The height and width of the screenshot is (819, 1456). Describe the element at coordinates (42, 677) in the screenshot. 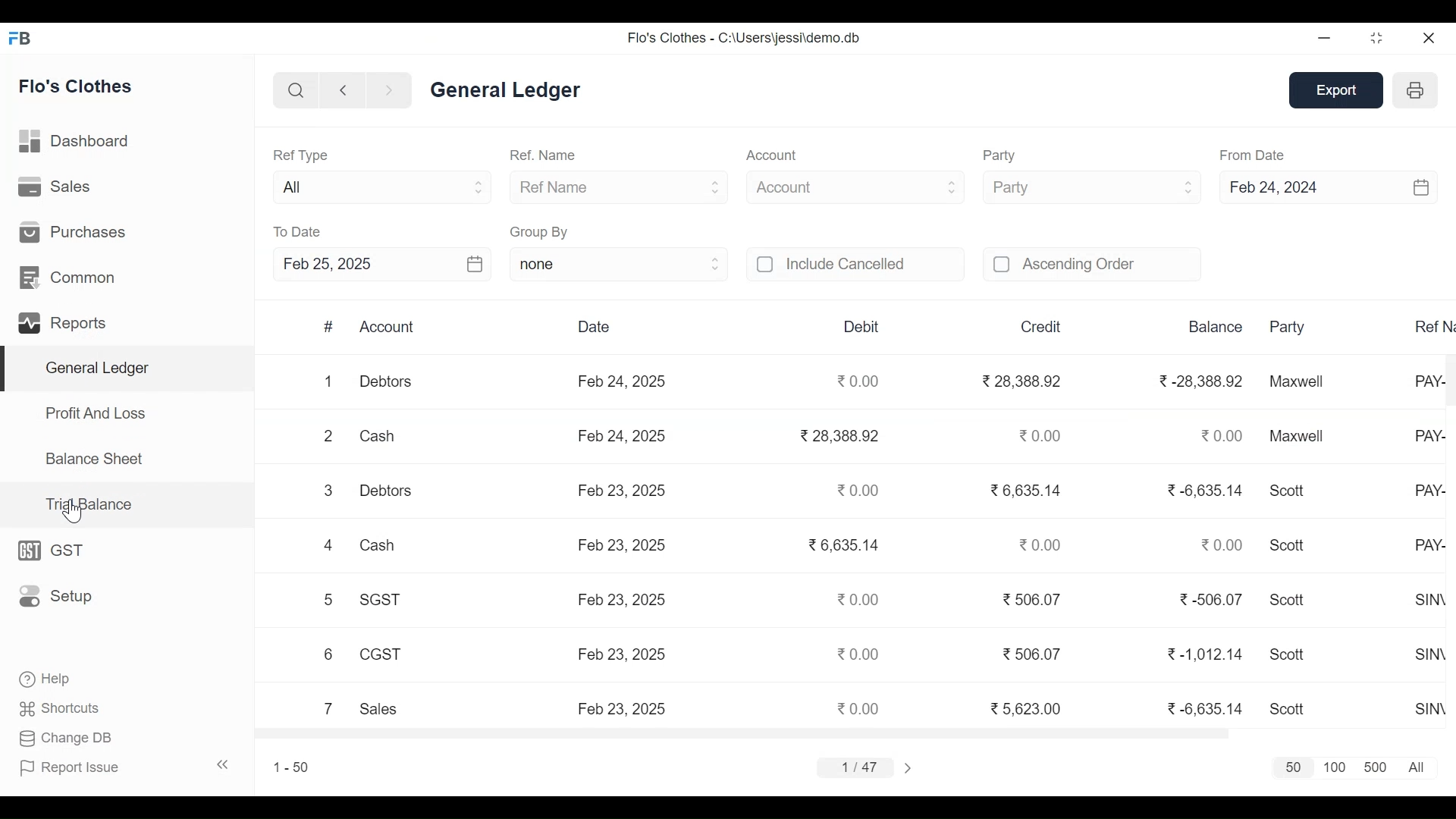

I see `Help` at that location.